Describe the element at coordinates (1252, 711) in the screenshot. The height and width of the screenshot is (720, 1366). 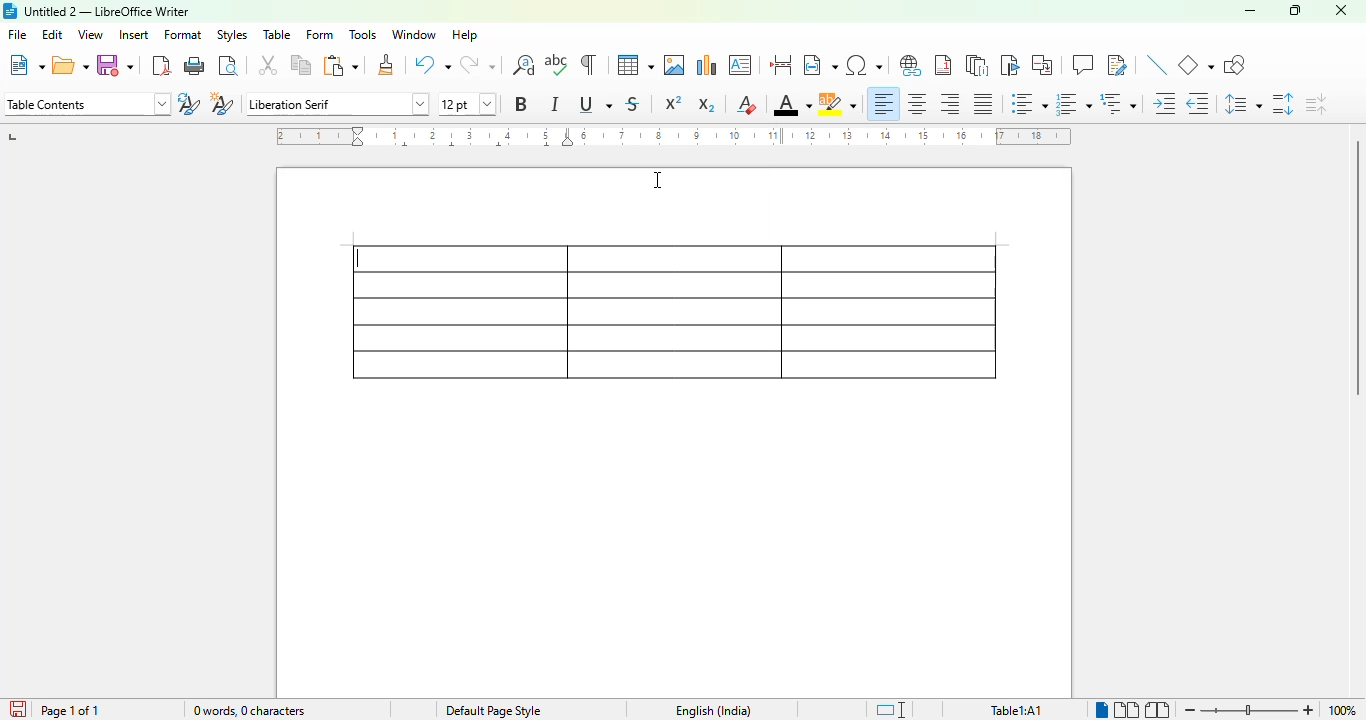
I see `zoom slider` at that location.